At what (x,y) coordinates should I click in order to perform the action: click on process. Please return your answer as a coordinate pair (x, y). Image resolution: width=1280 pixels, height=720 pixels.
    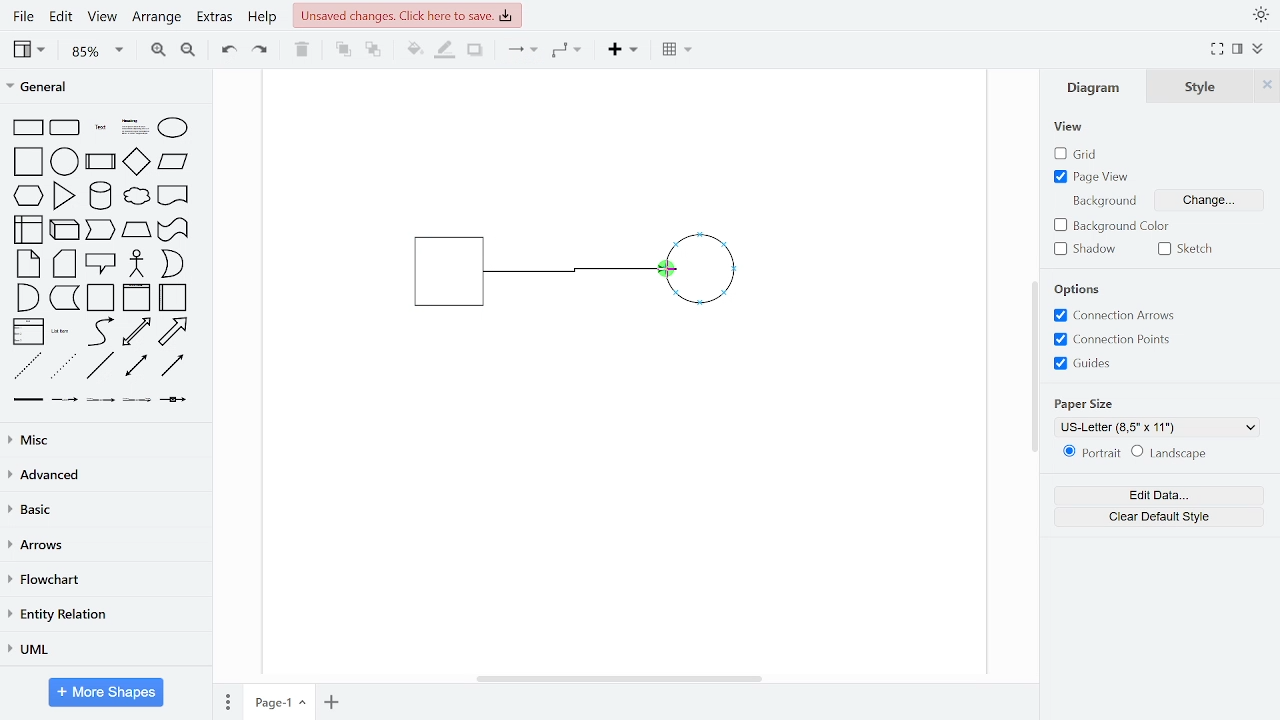
    Looking at the image, I should click on (101, 163).